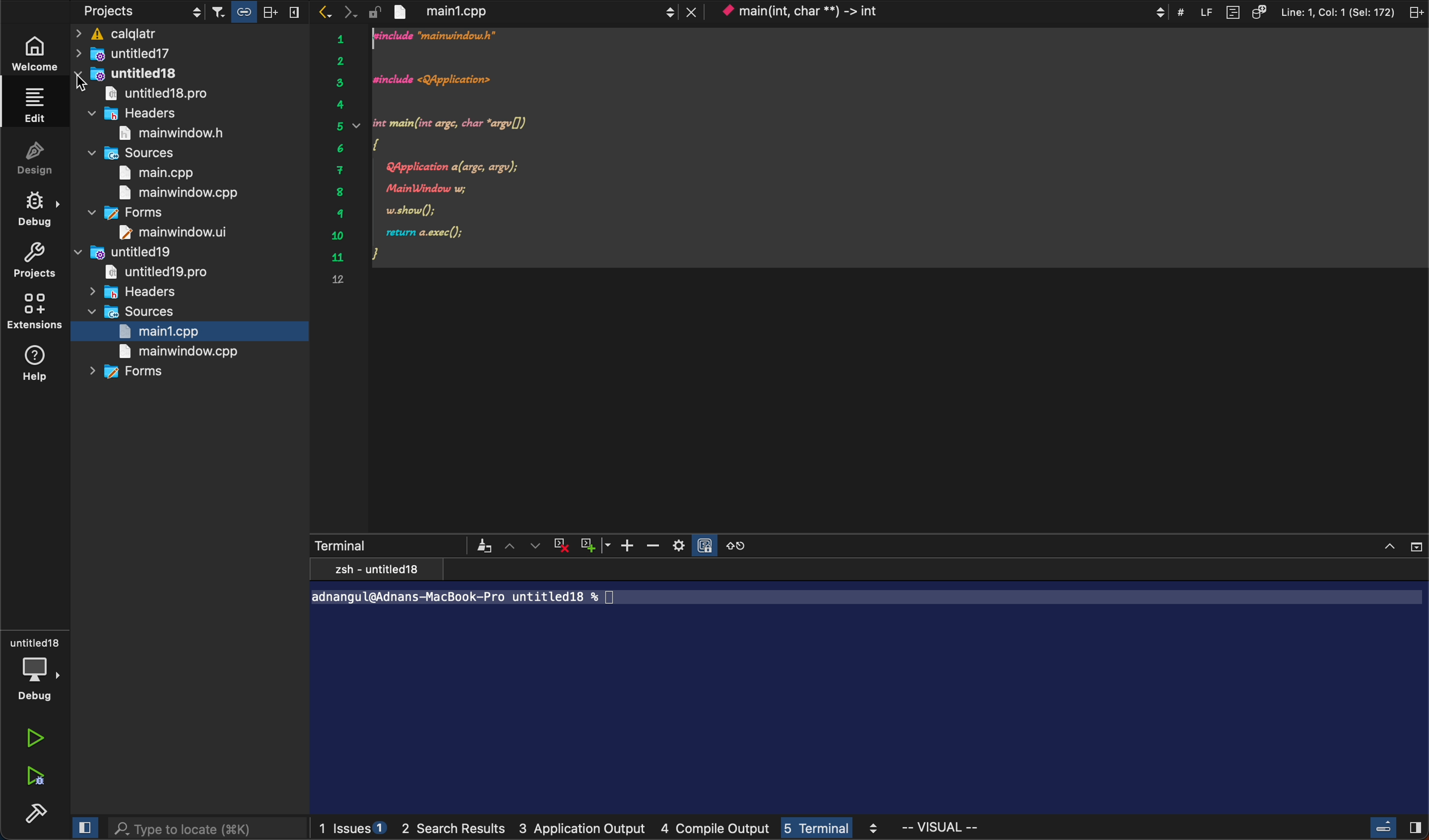 The width and height of the screenshot is (1429, 840). What do you see at coordinates (1388, 827) in the screenshot?
I see `close slidebar` at bounding box center [1388, 827].